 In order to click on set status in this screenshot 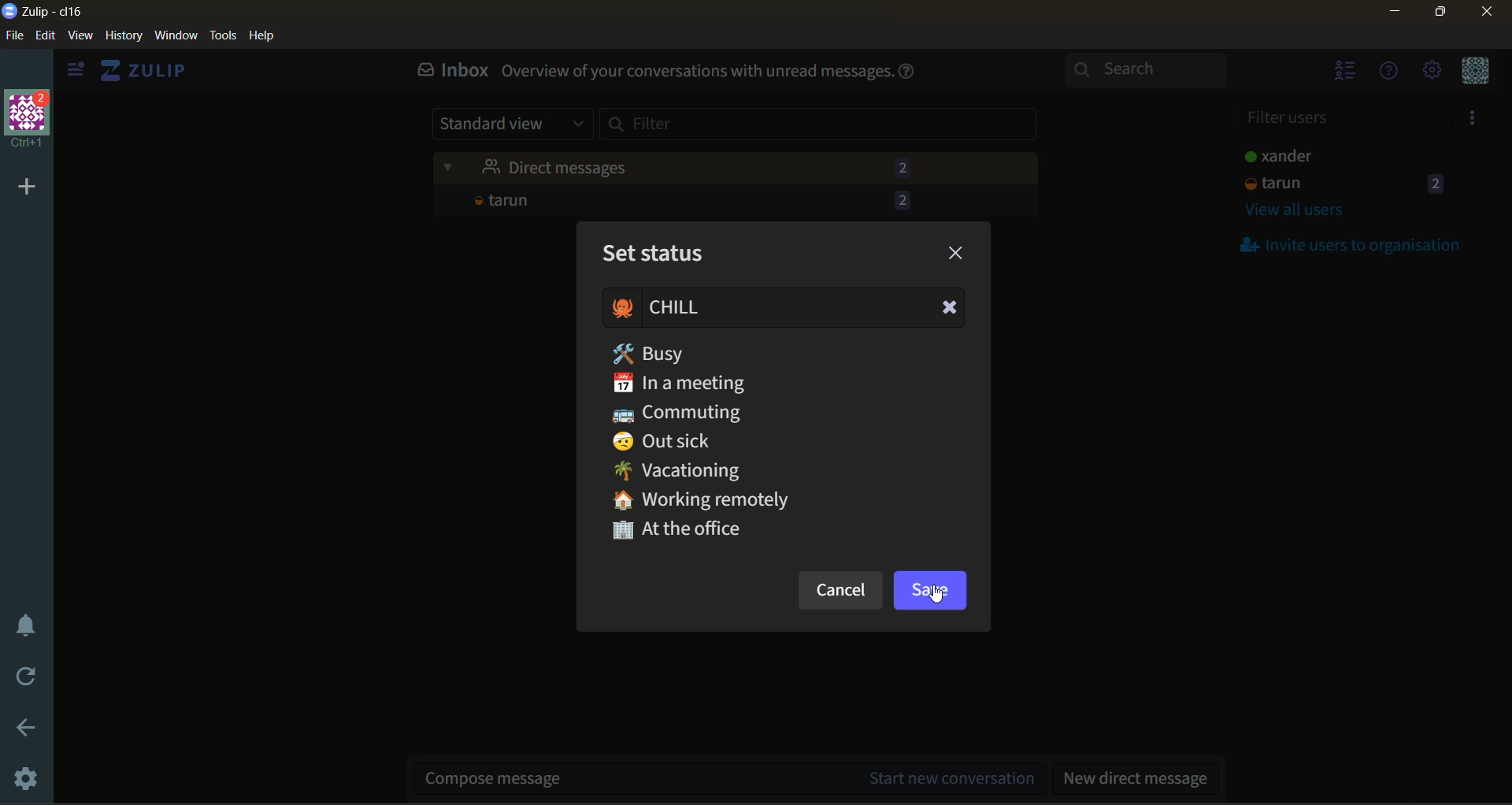, I will do `click(656, 254)`.